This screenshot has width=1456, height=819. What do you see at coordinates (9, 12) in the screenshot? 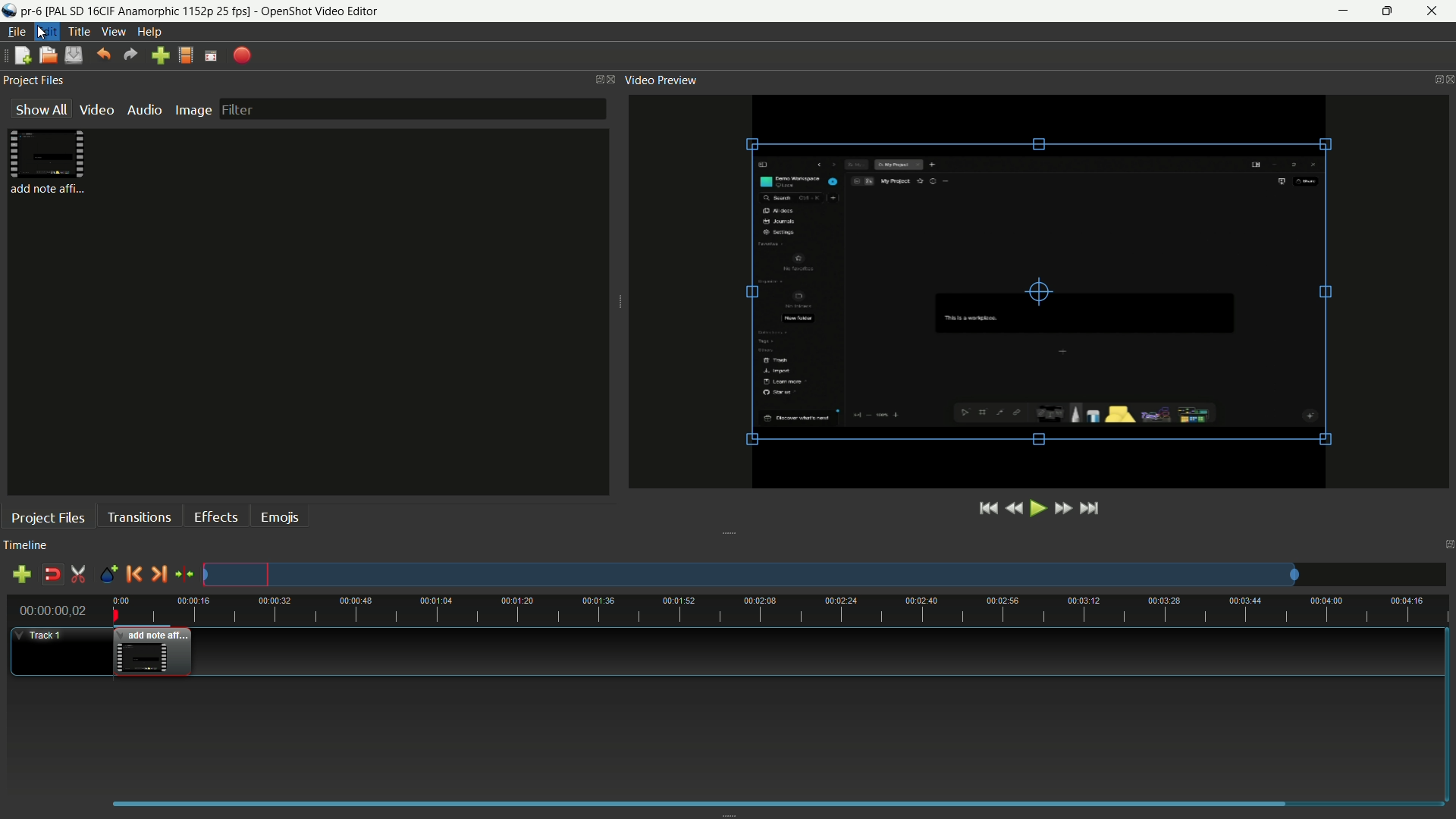
I see `app icon` at bounding box center [9, 12].